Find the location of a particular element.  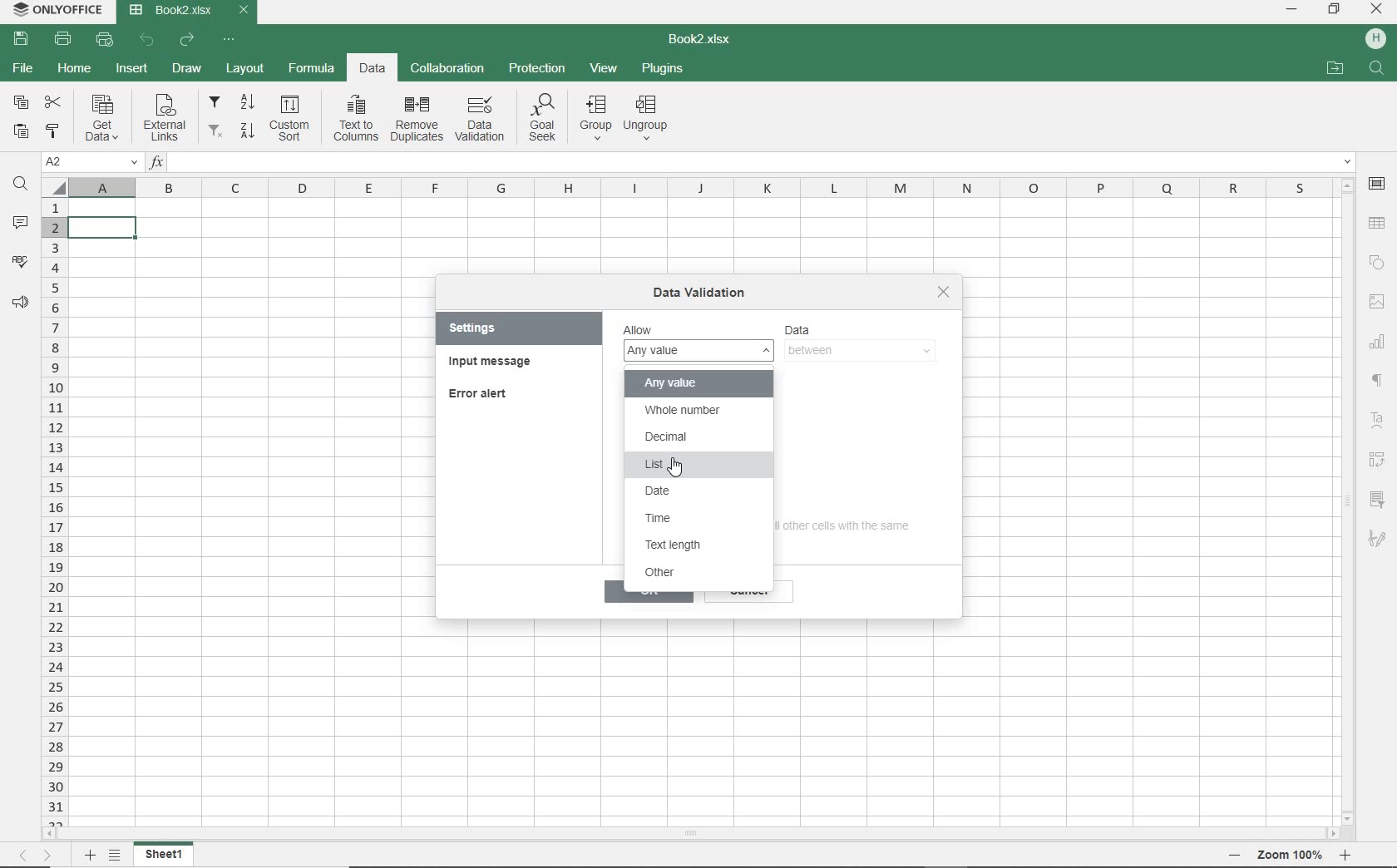

SAVE is located at coordinates (19, 38).